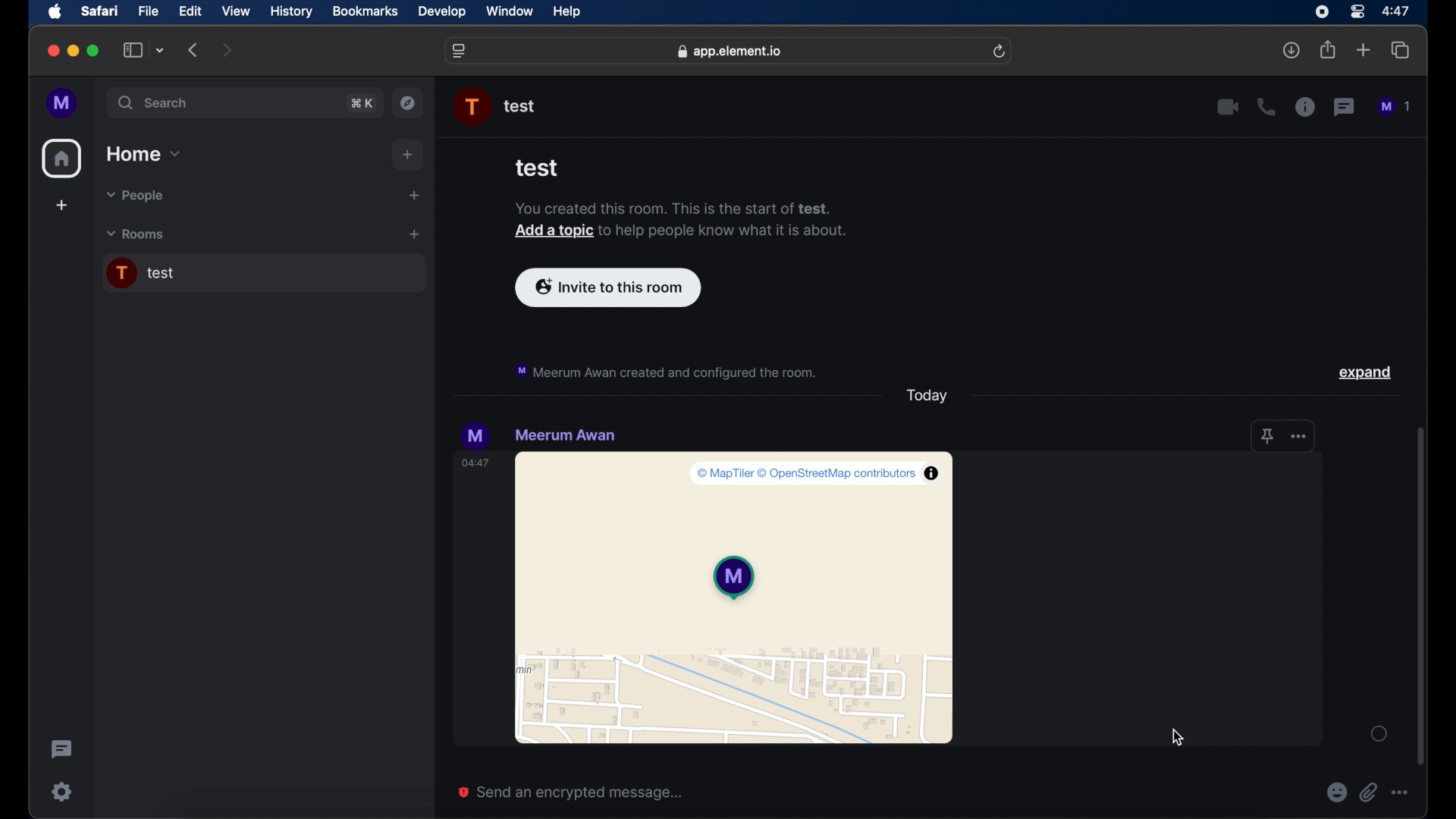  I want to click on safari, so click(100, 12).